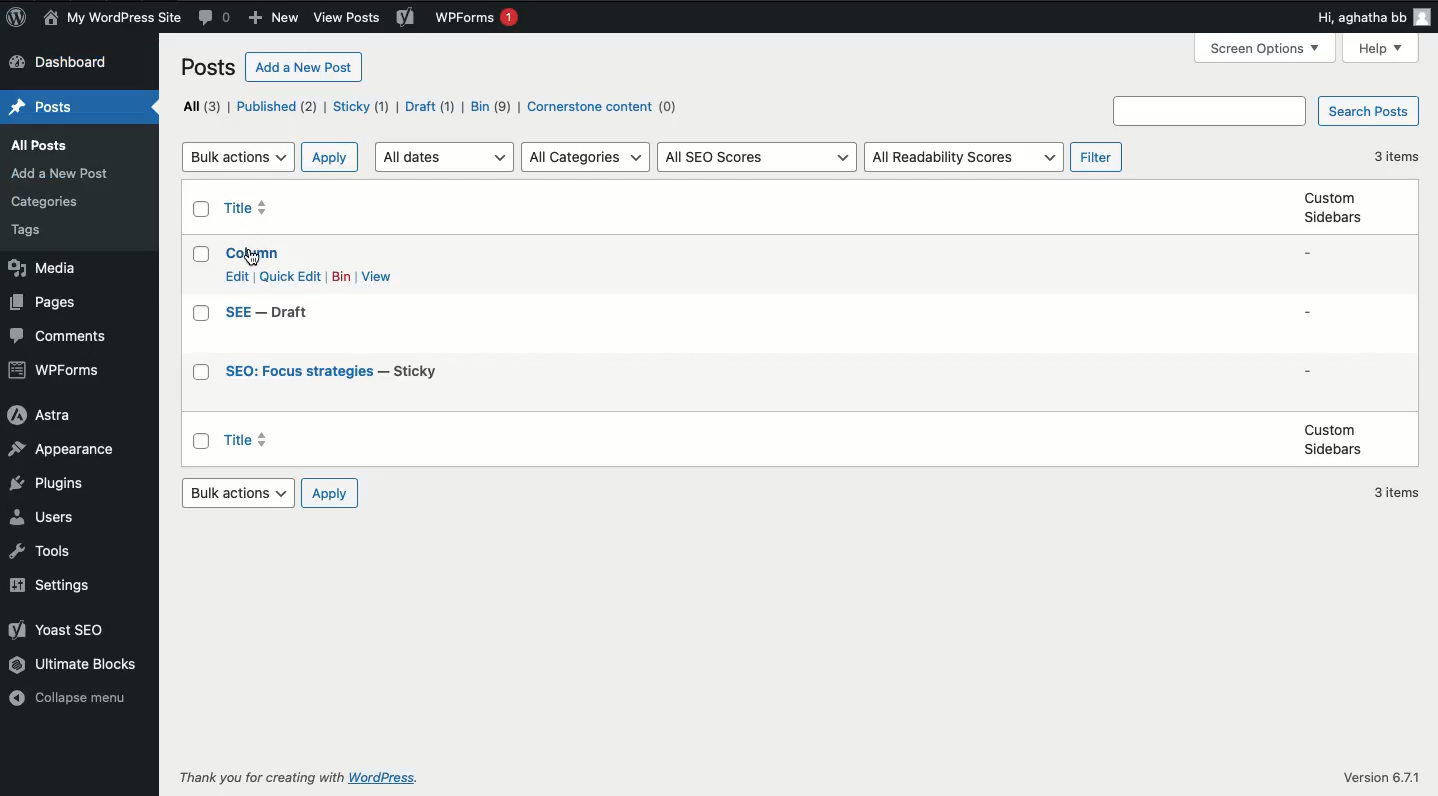 The image size is (1438, 796). I want to click on All, so click(204, 108).